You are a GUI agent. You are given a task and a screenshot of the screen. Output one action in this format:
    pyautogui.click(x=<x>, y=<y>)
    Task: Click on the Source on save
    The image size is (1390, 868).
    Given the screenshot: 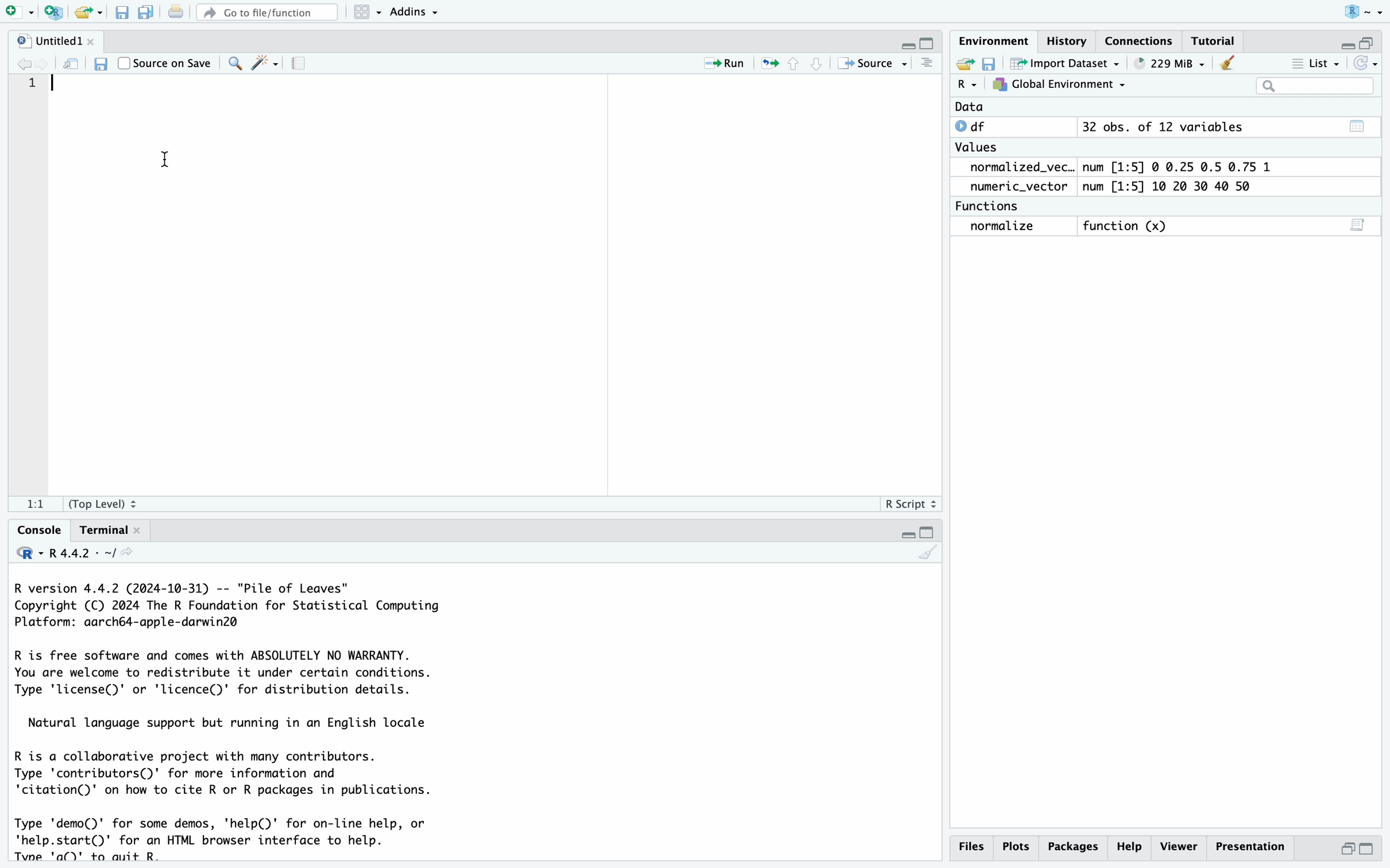 What is the action you would take?
    pyautogui.click(x=165, y=63)
    